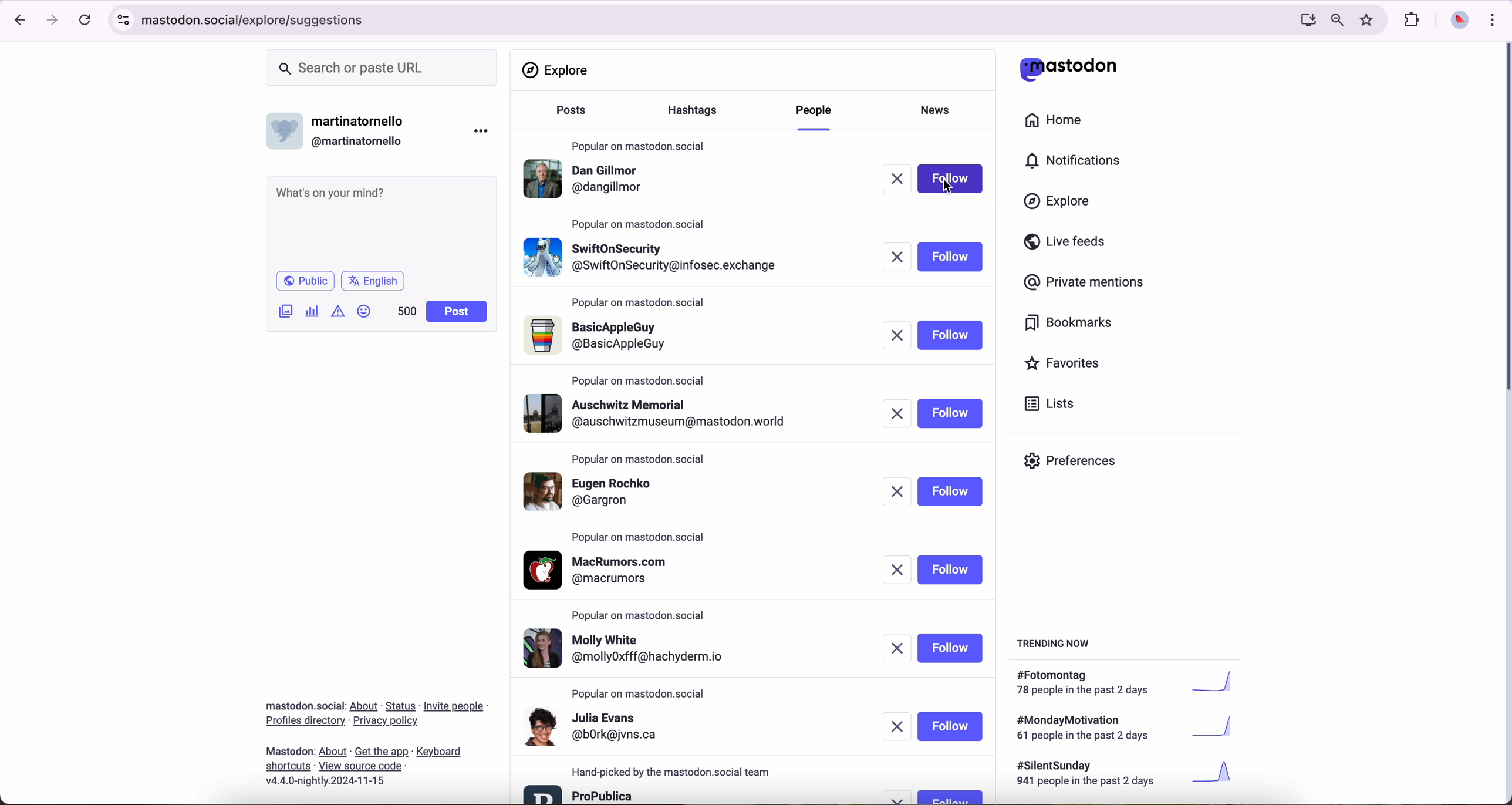 The width and height of the screenshot is (1512, 805). What do you see at coordinates (1079, 465) in the screenshot?
I see `preferences` at bounding box center [1079, 465].